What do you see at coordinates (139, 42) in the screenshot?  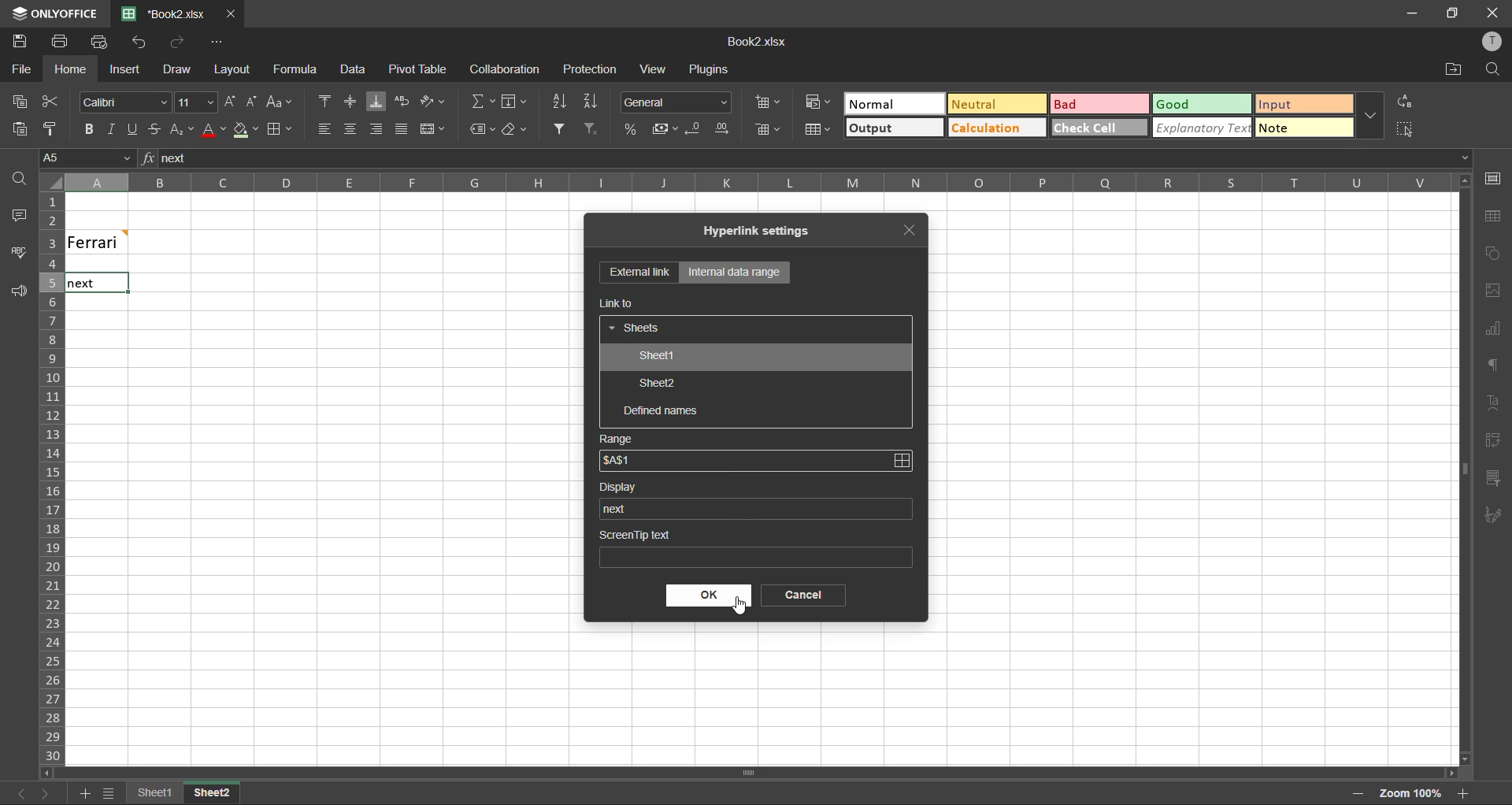 I see `undo` at bounding box center [139, 42].